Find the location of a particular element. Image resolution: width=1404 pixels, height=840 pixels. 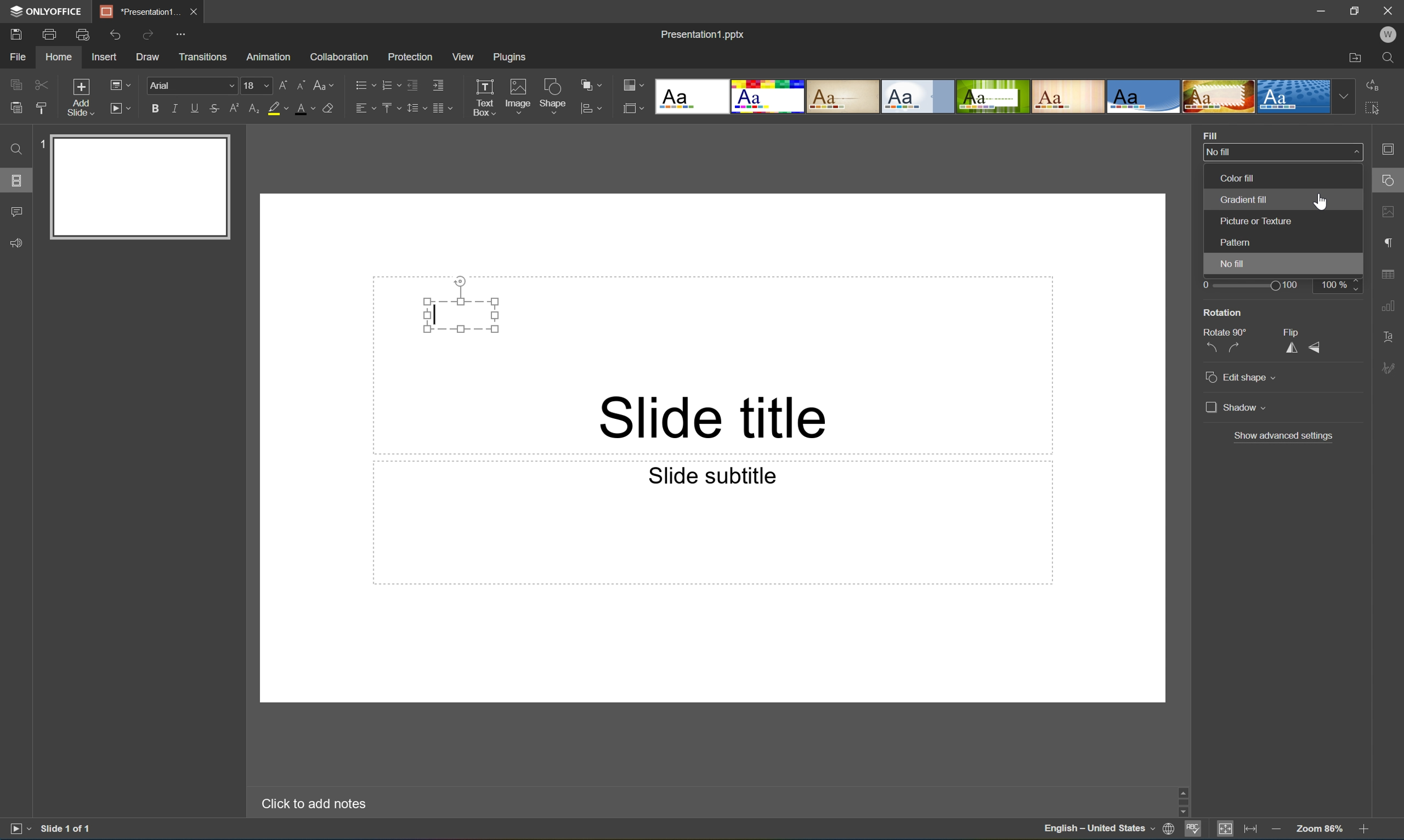

Scroll Up is located at coordinates (1363, 786).